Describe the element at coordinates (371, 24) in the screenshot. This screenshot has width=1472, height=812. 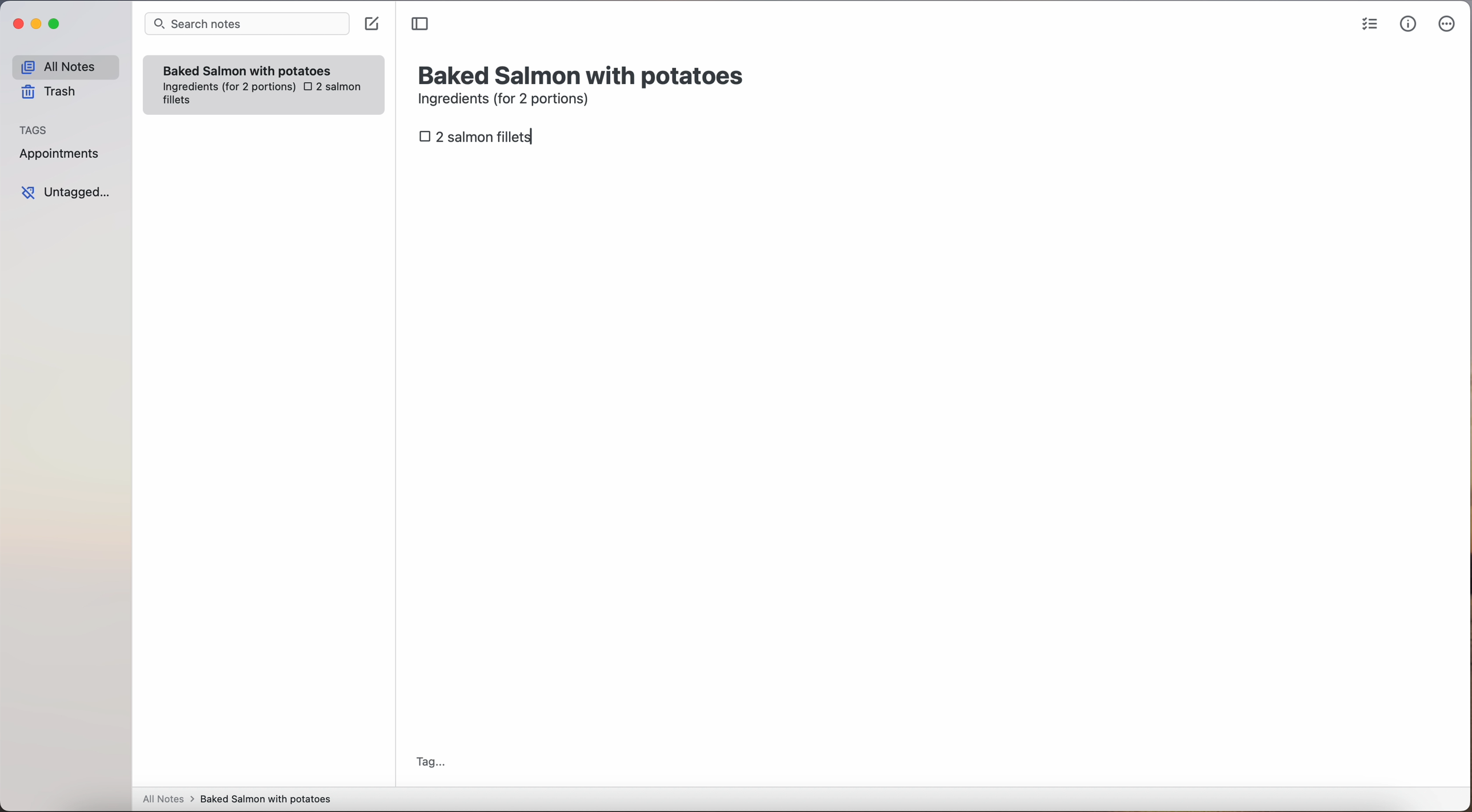
I see `create note` at that location.